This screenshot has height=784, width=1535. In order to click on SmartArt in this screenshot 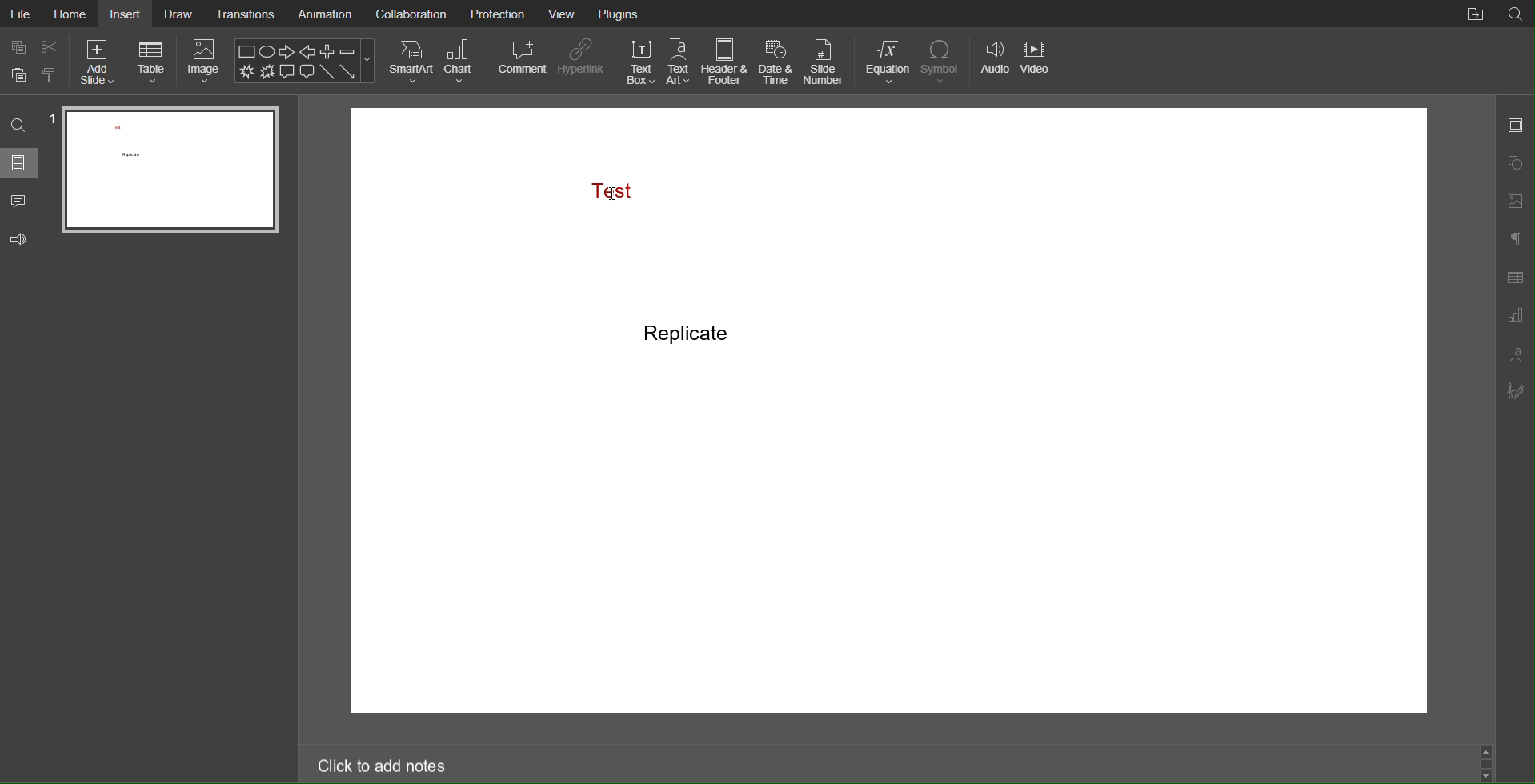, I will do `click(411, 62)`.